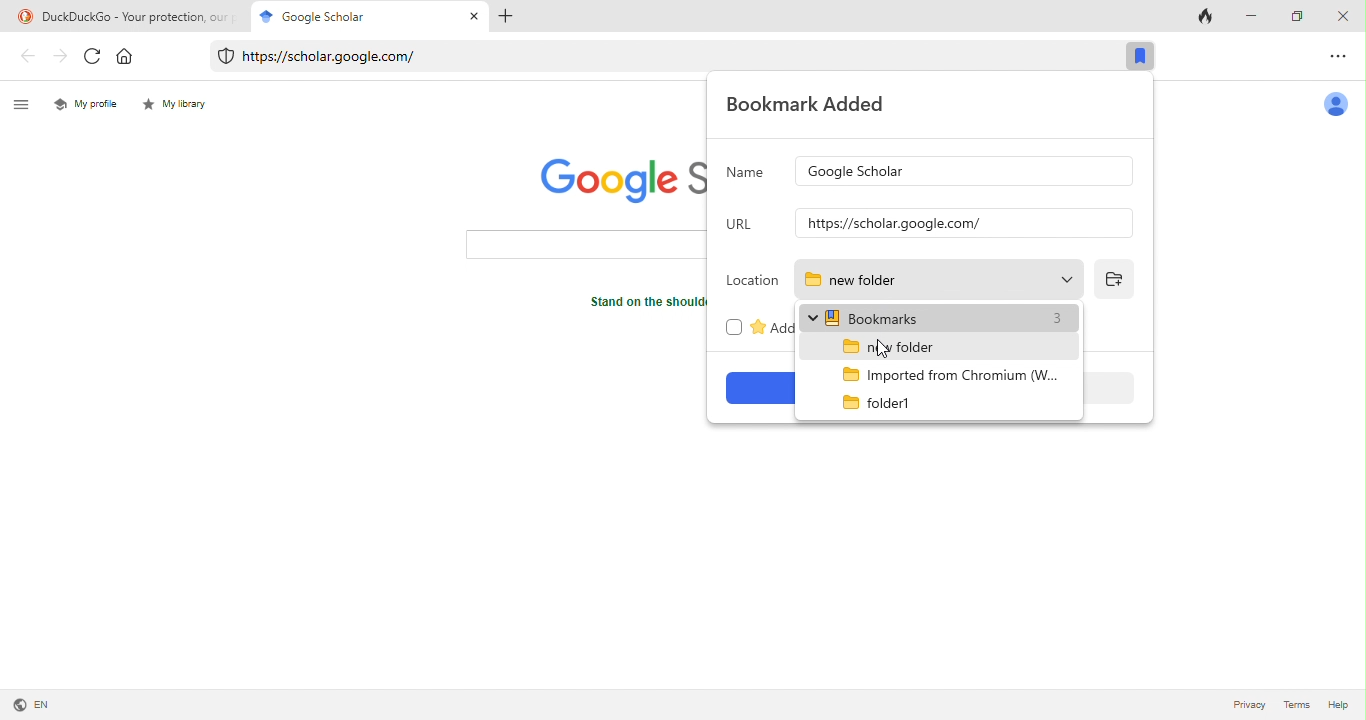  I want to click on my profile, so click(86, 103).